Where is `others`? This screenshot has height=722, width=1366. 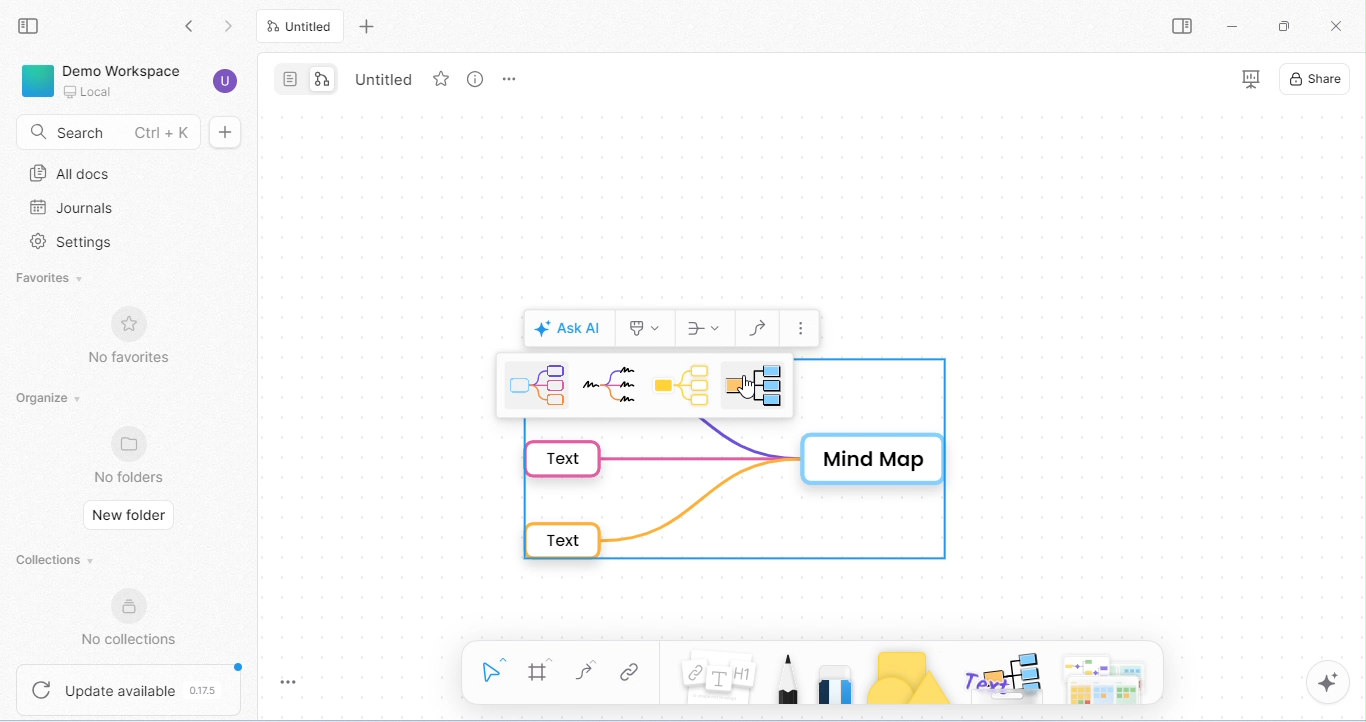
others is located at coordinates (1001, 680).